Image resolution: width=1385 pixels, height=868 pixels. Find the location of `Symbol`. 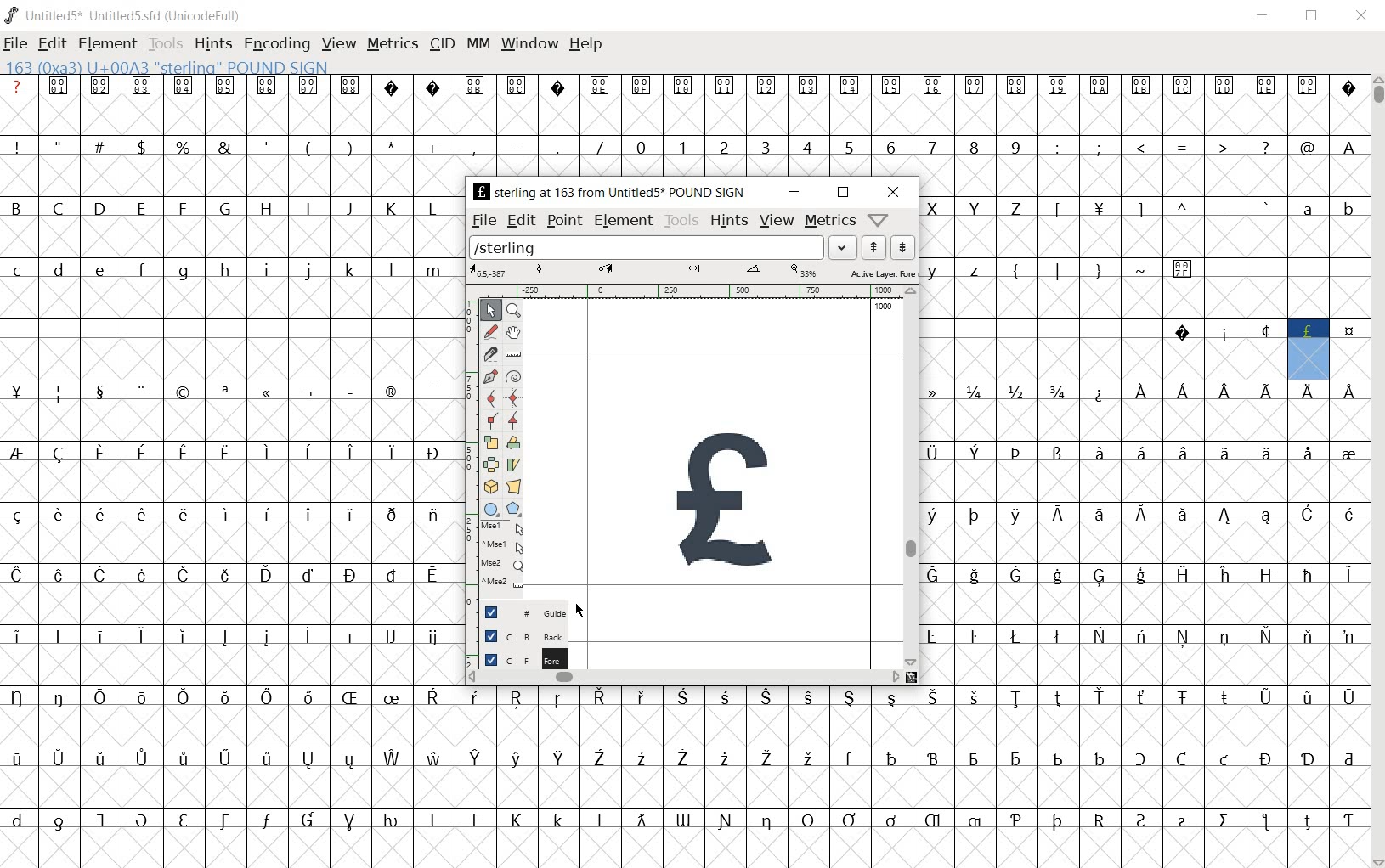

Symbol is located at coordinates (681, 699).